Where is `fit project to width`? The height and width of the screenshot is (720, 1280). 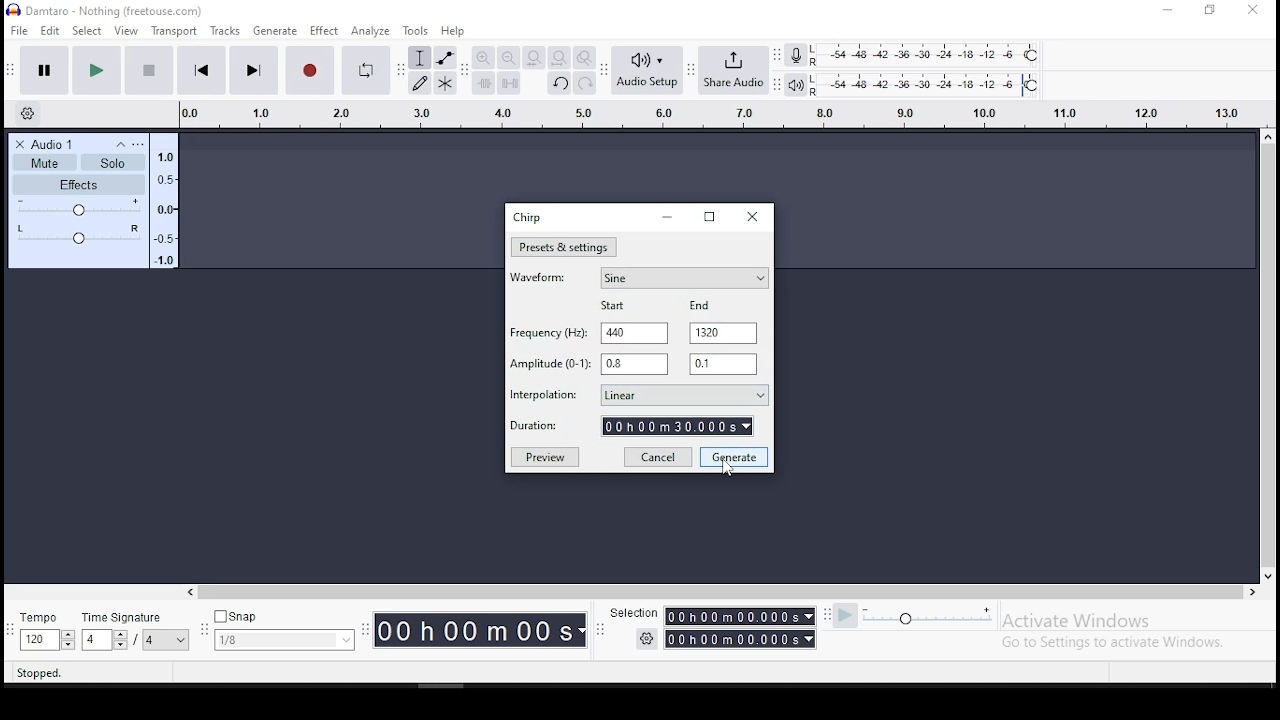
fit project to width is located at coordinates (558, 57).